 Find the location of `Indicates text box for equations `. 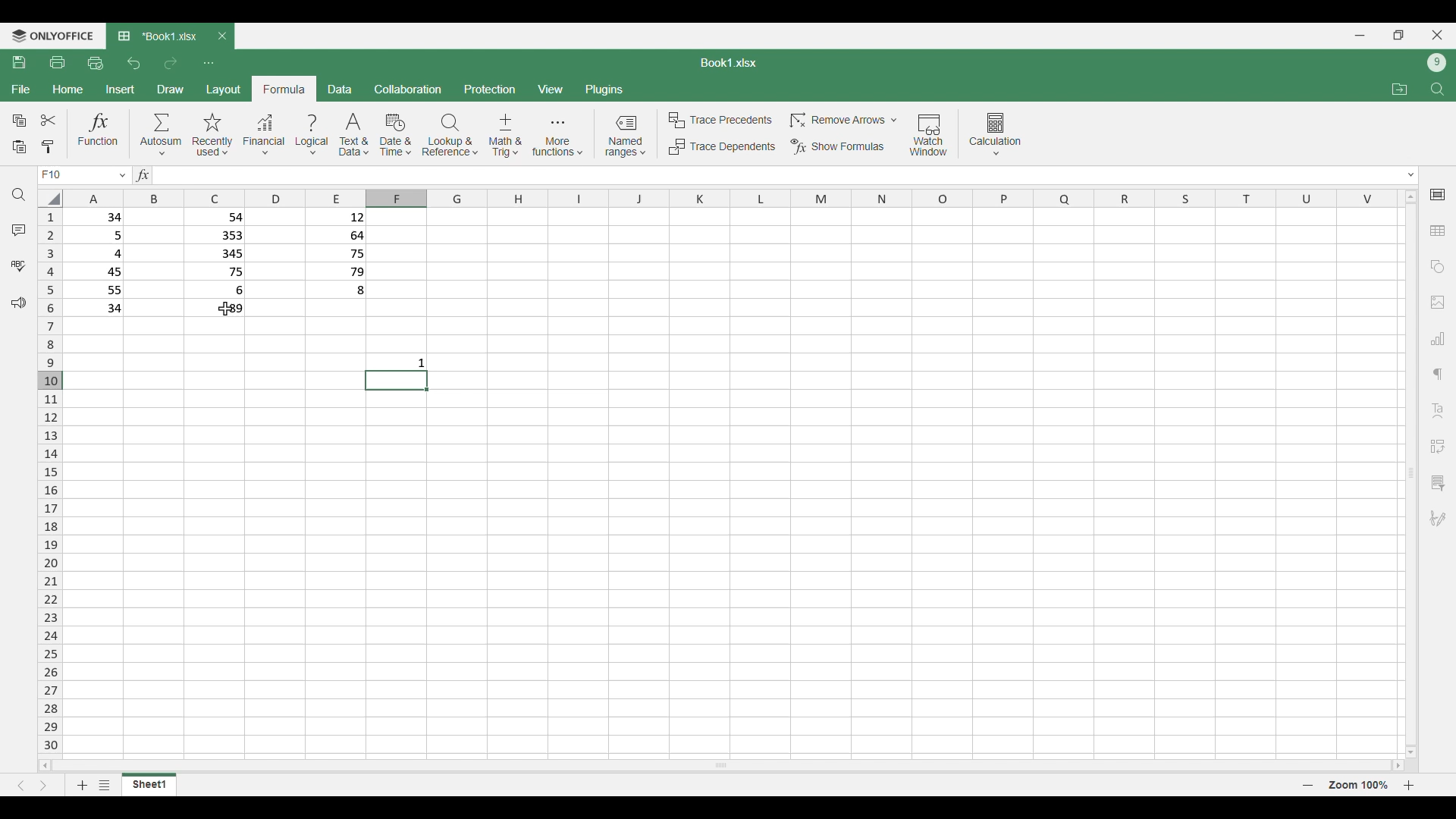

Indicates text box for equations  is located at coordinates (141, 175).